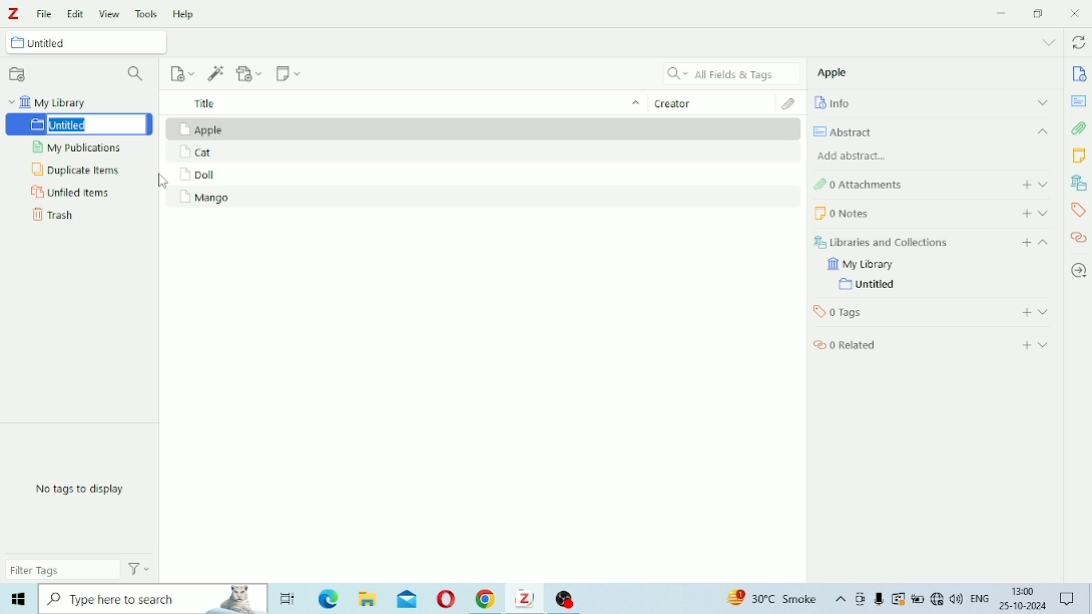  What do you see at coordinates (78, 146) in the screenshot?
I see `My Publications` at bounding box center [78, 146].